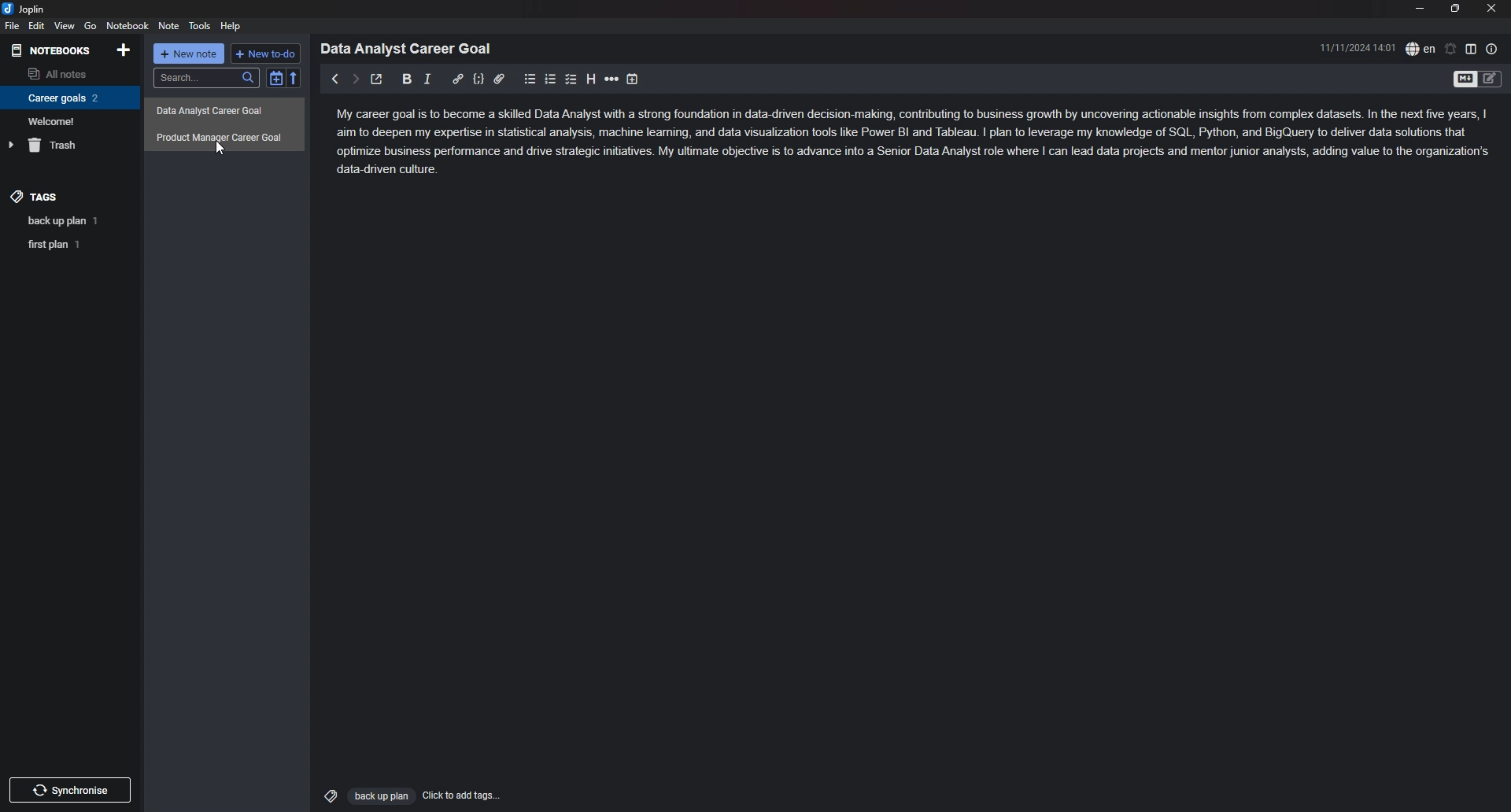 The height and width of the screenshot is (812, 1511). What do you see at coordinates (530, 79) in the screenshot?
I see `bullet list` at bounding box center [530, 79].